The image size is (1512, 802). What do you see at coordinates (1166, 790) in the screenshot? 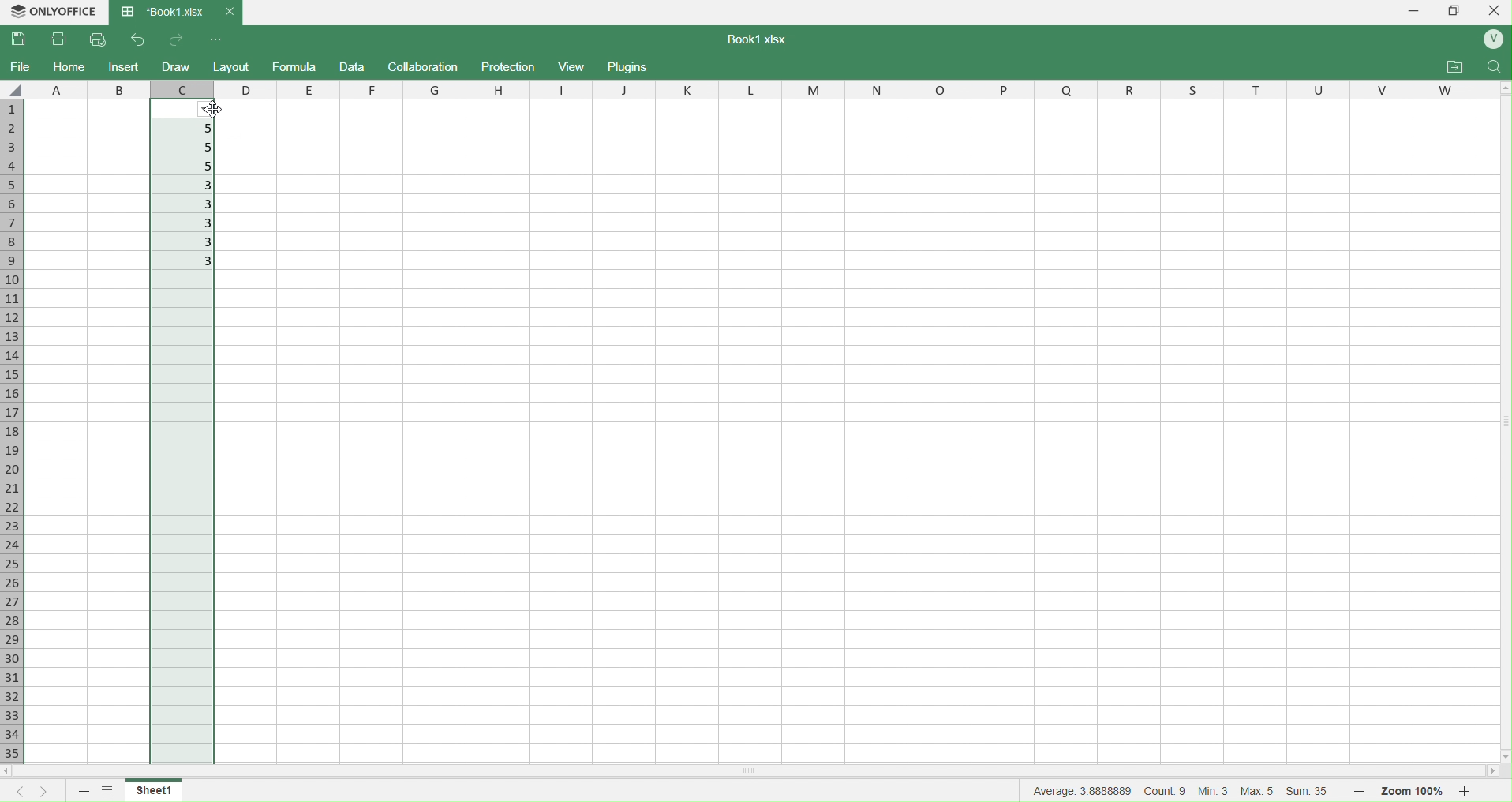
I see `cout` at bounding box center [1166, 790].